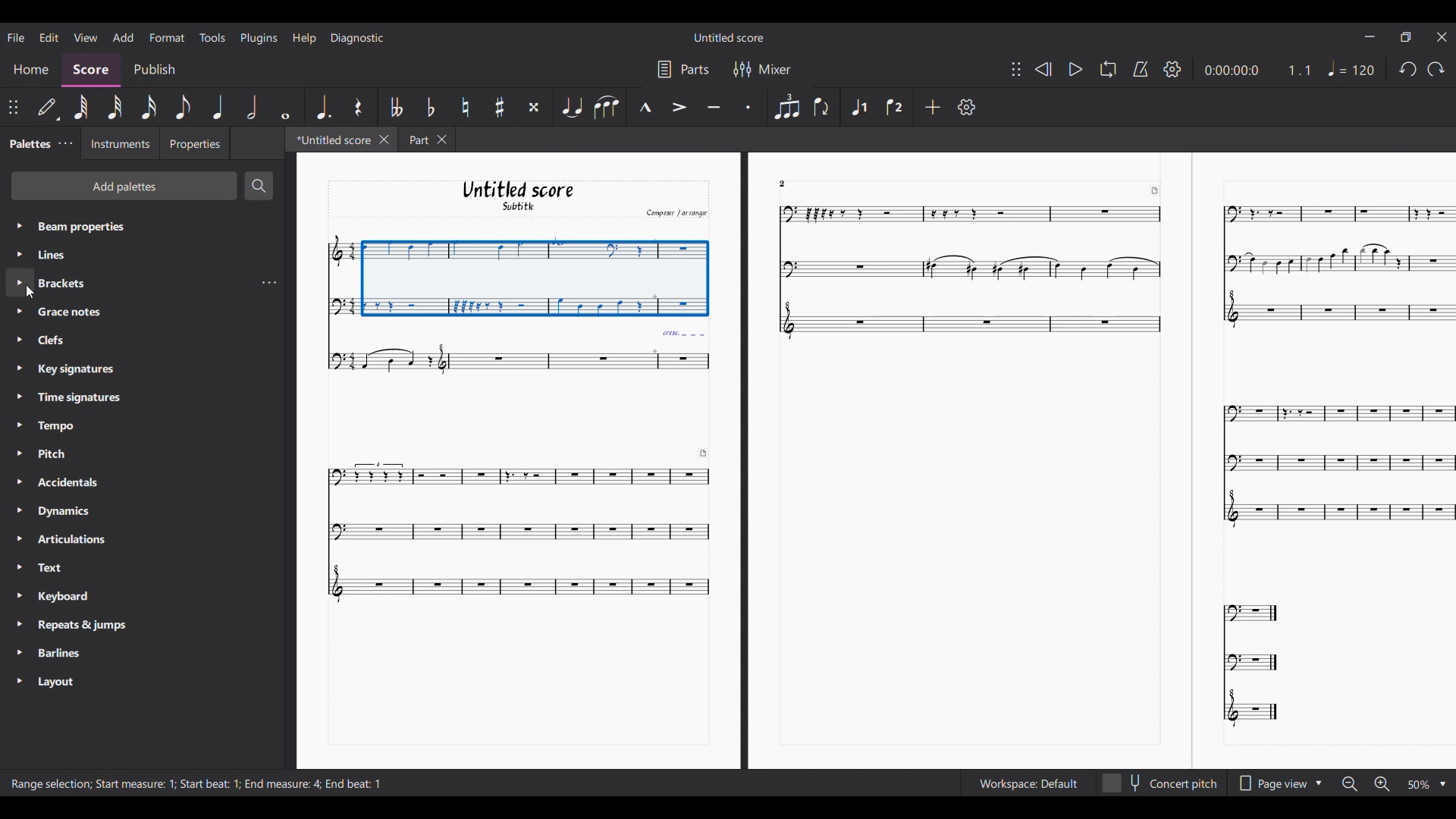 The height and width of the screenshot is (819, 1456). What do you see at coordinates (253, 107) in the screenshot?
I see `Half note` at bounding box center [253, 107].